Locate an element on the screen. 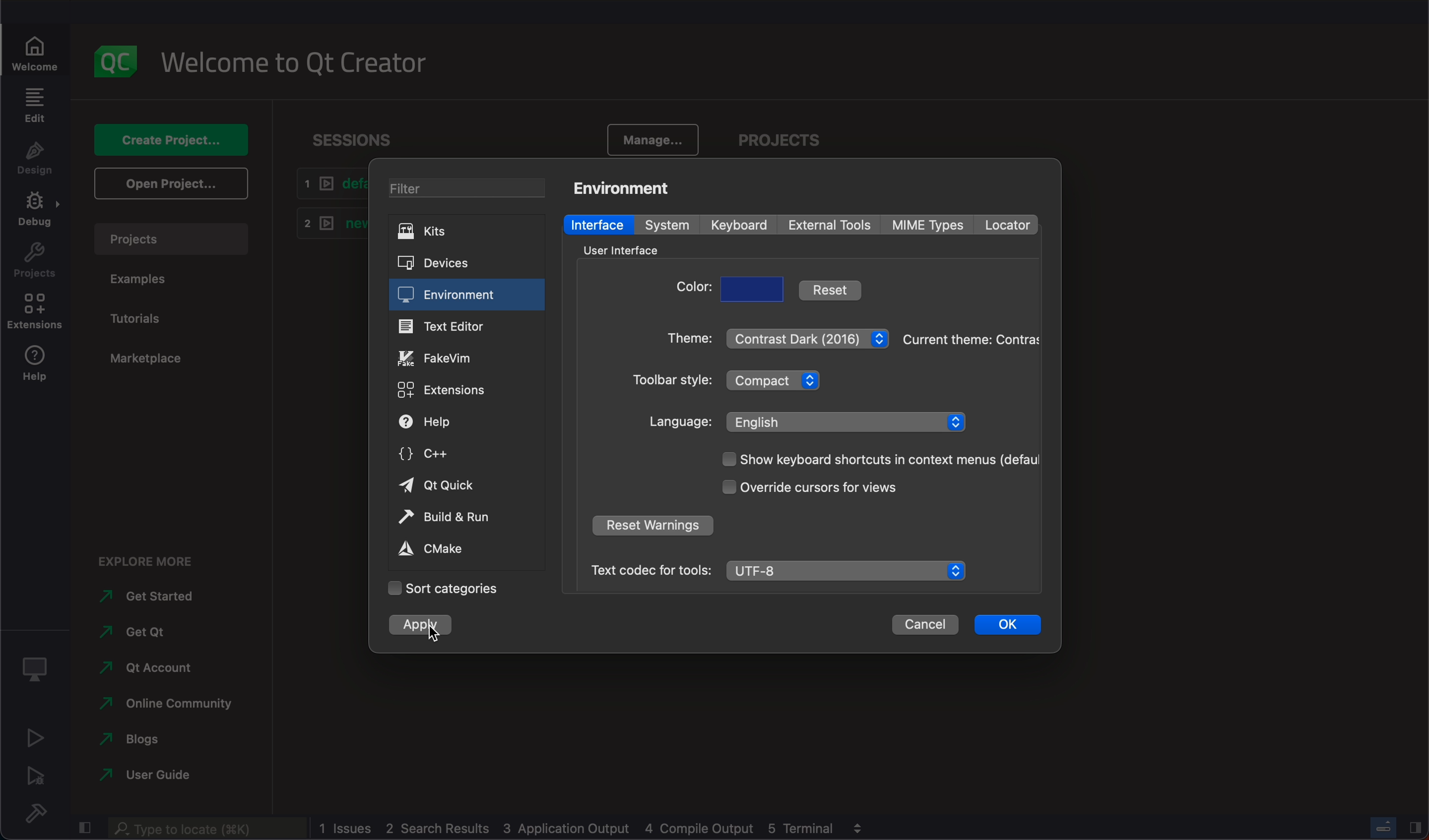 The image size is (1429, 840). tutorials is located at coordinates (145, 315).